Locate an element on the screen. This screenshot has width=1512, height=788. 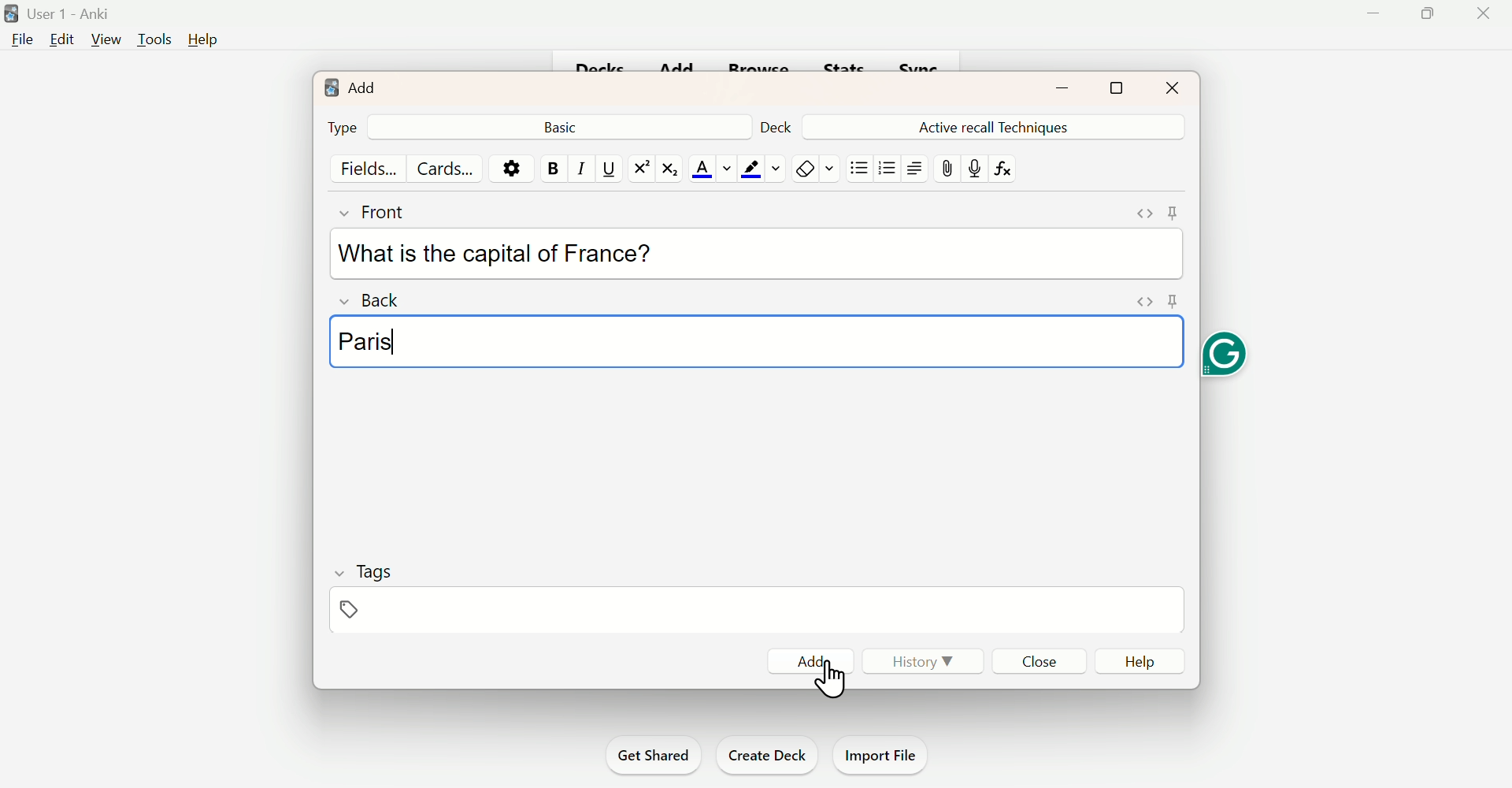
minimise is located at coordinates (1053, 88).